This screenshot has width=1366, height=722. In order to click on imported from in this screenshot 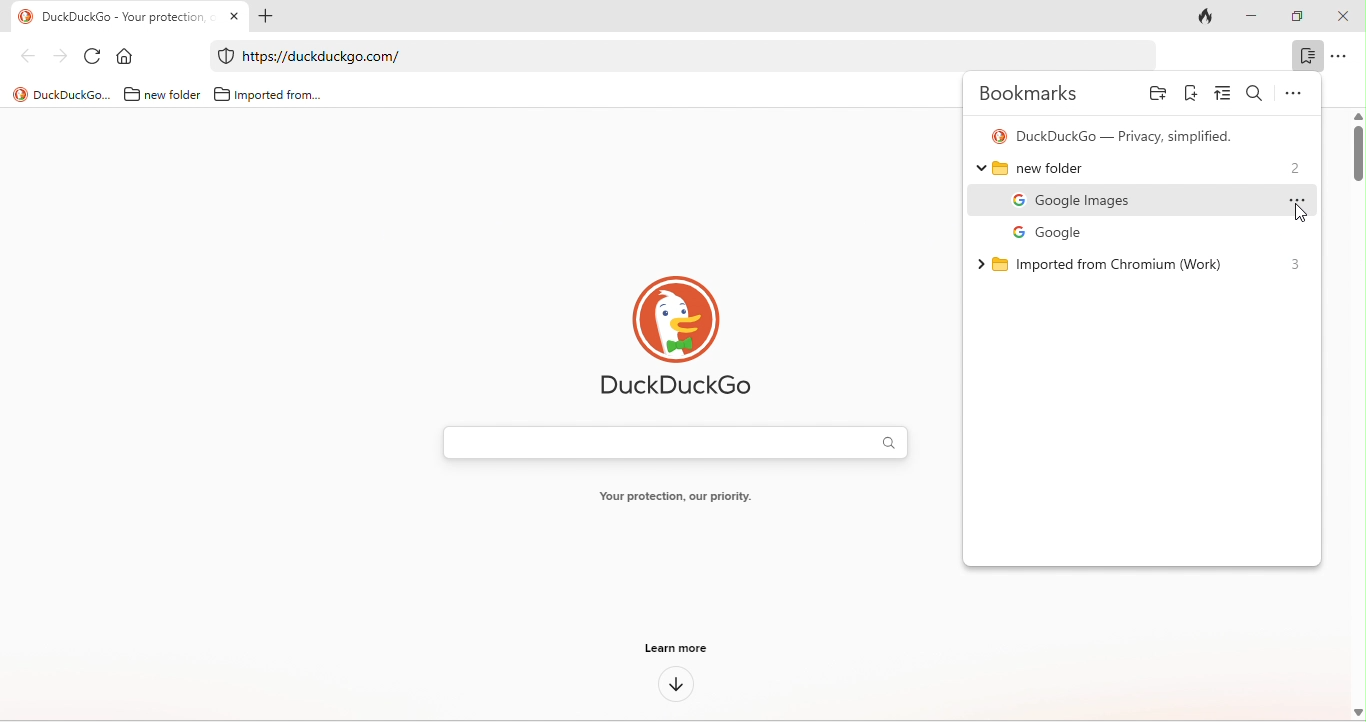, I will do `click(267, 91)`.